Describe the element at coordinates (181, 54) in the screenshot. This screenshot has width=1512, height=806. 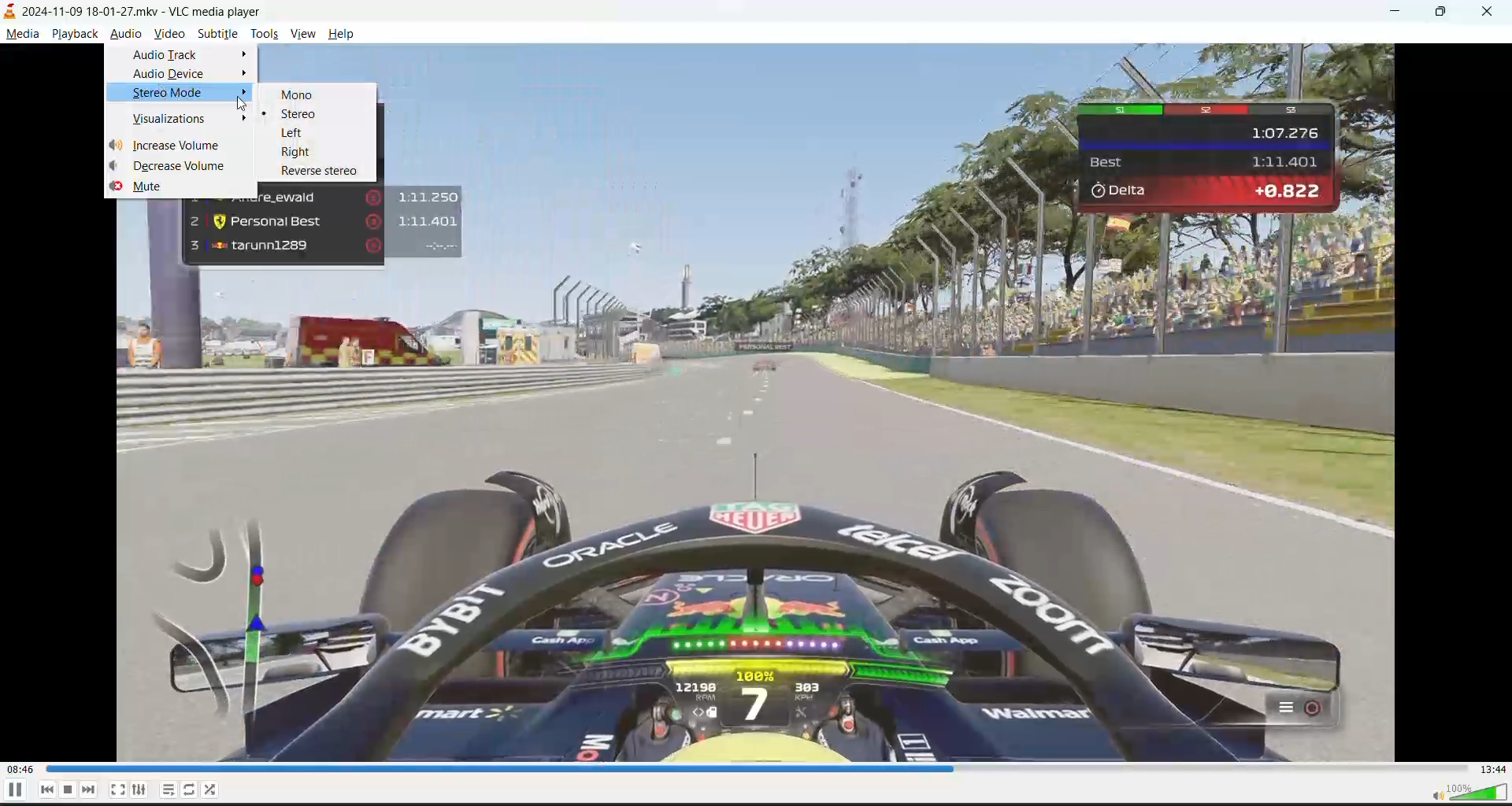
I see `Audio track` at that location.